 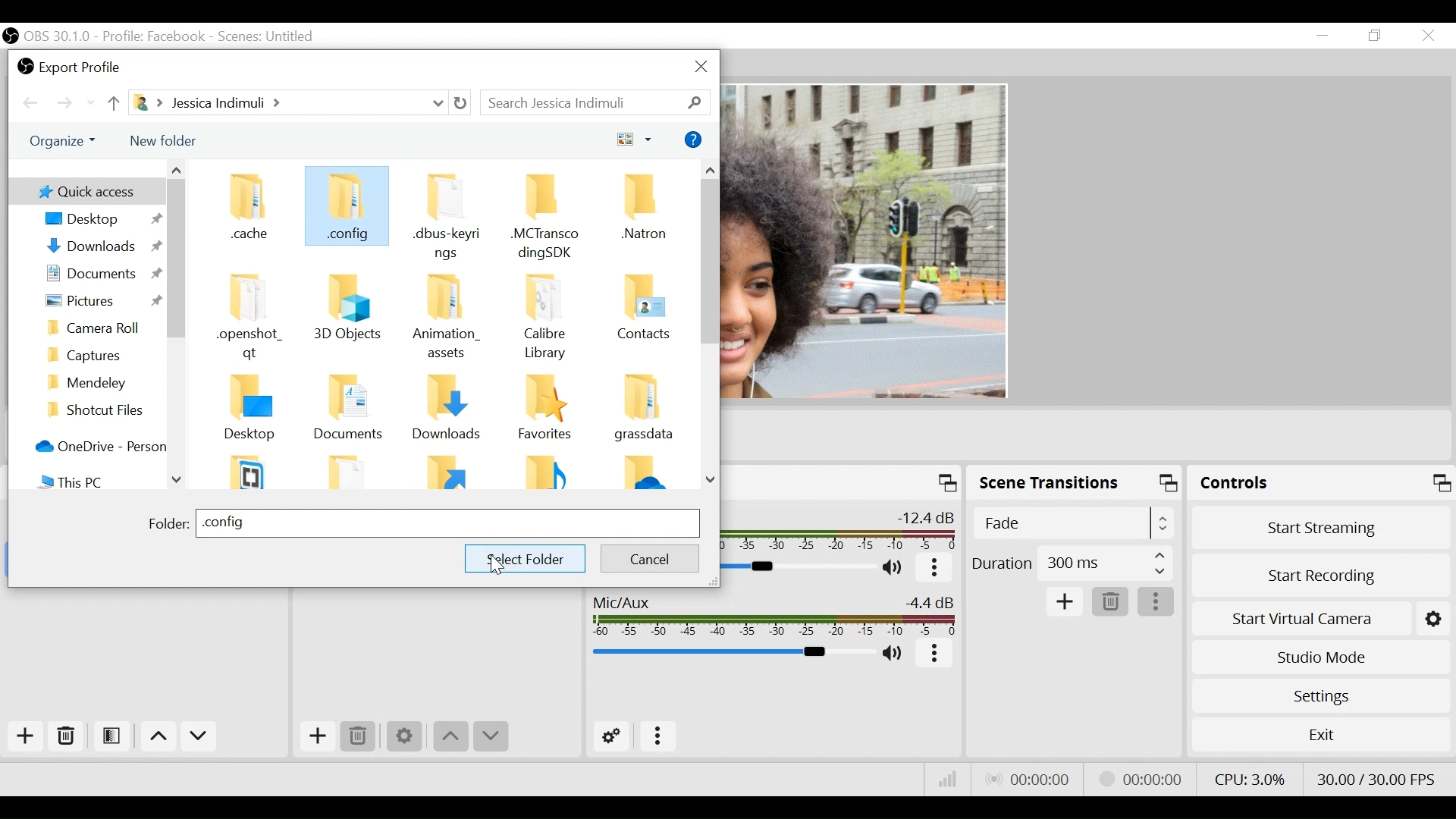 What do you see at coordinates (1075, 482) in the screenshot?
I see `Scene Transition` at bounding box center [1075, 482].